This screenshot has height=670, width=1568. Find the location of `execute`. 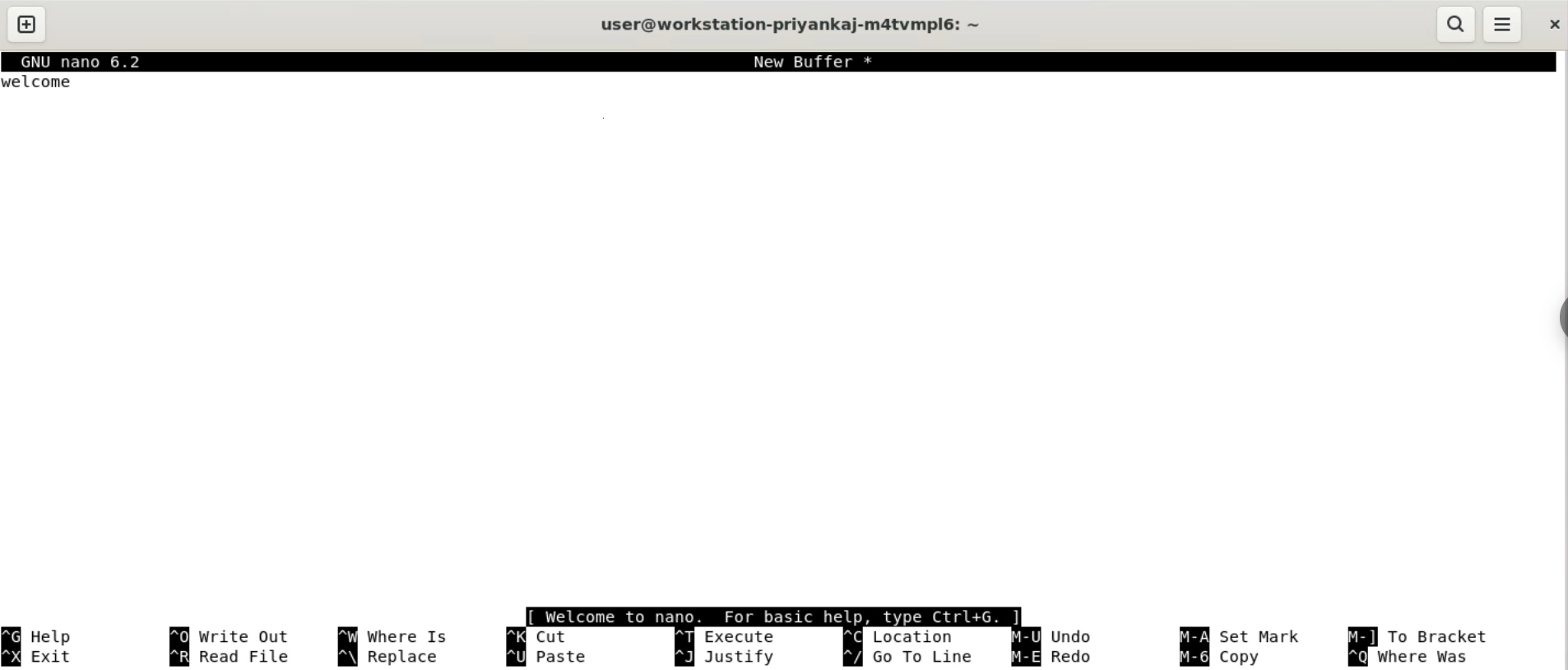

execute is located at coordinates (725, 636).